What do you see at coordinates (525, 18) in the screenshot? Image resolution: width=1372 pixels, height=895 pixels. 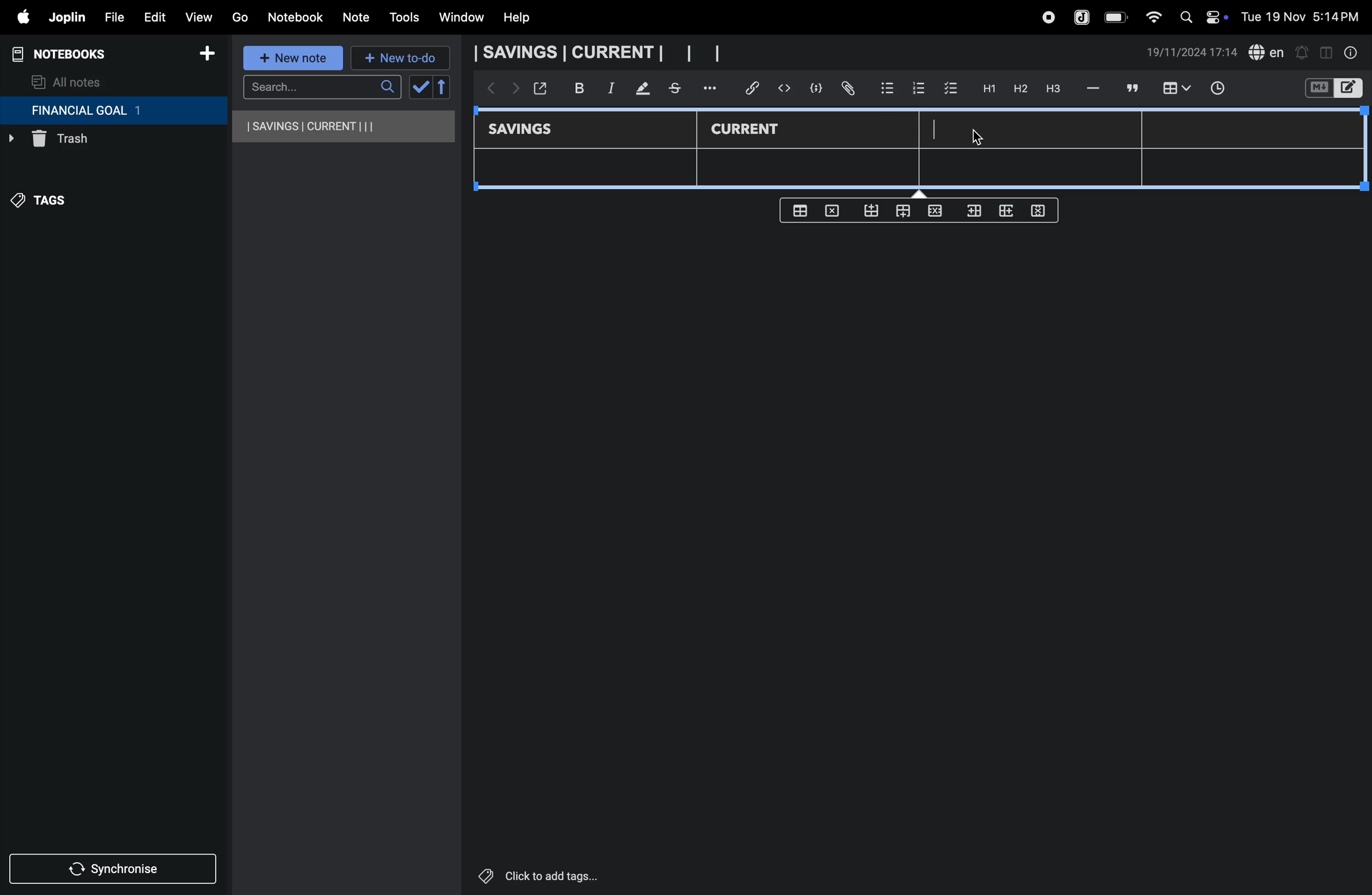 I see `help` at bounding box center [525, 18].